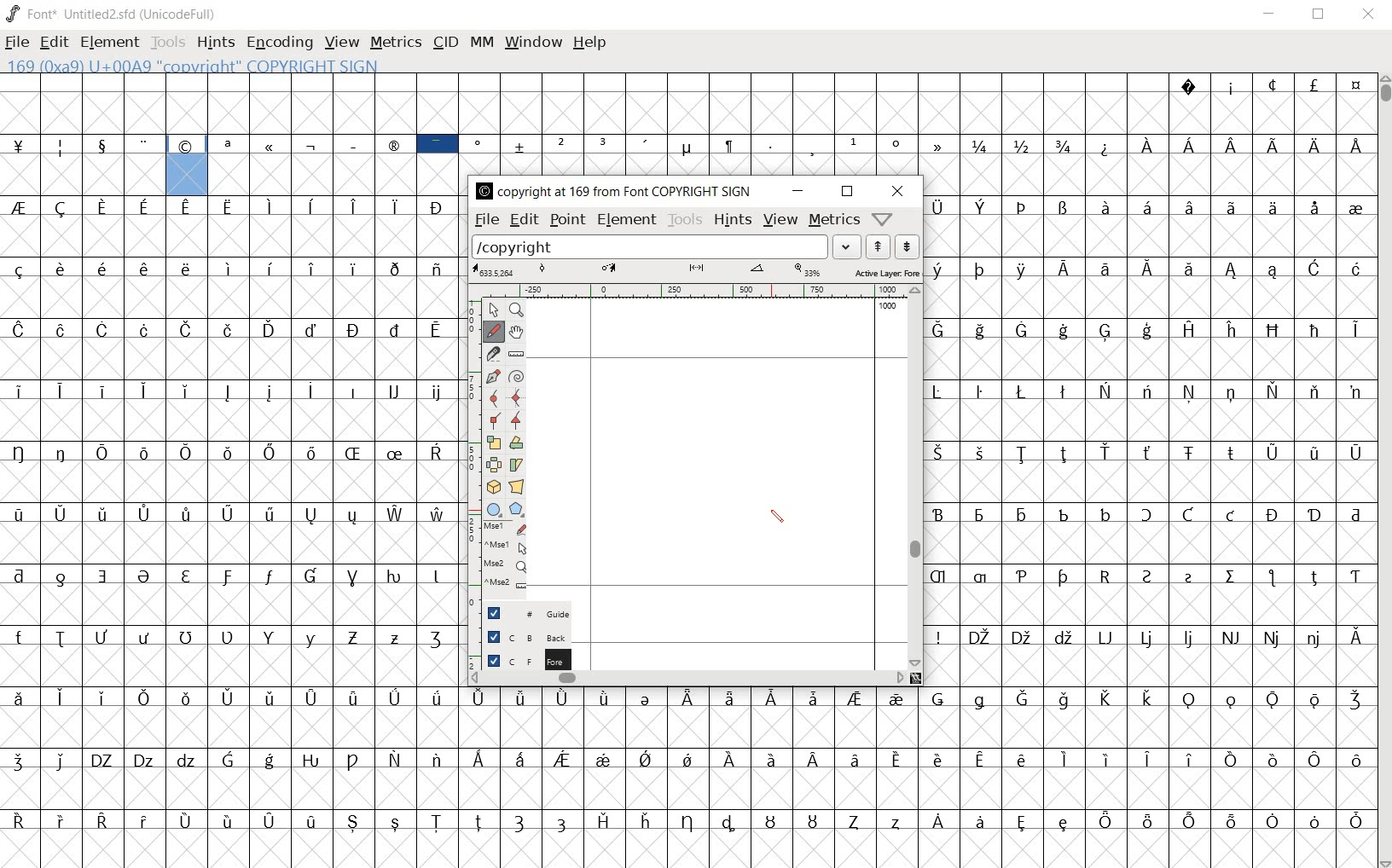  Describe the element at coordinates (516, 355) in the screenshot. I see `measure a distance, angle between points` at that location.